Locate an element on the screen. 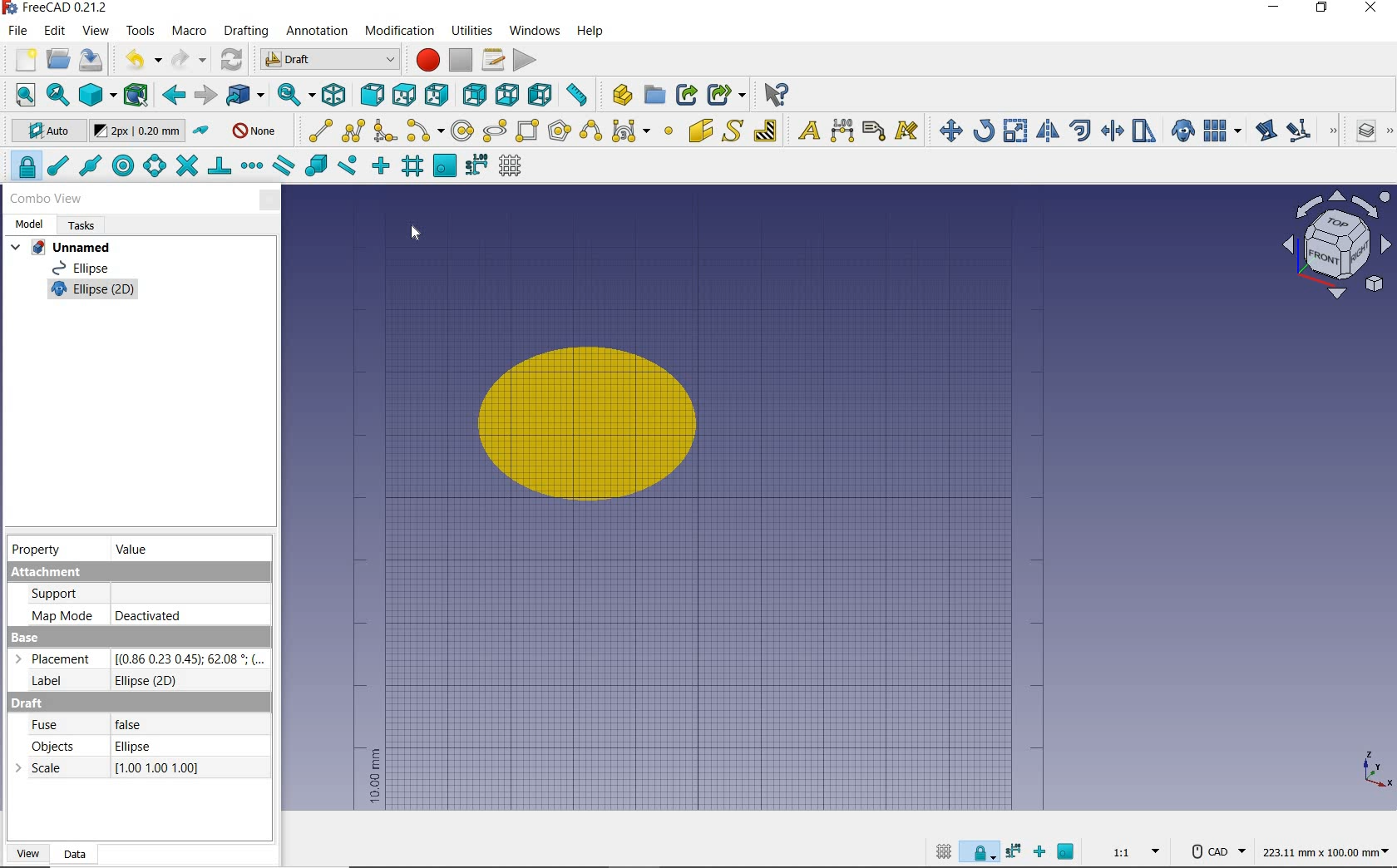  close is located at coordinates (270, 200).